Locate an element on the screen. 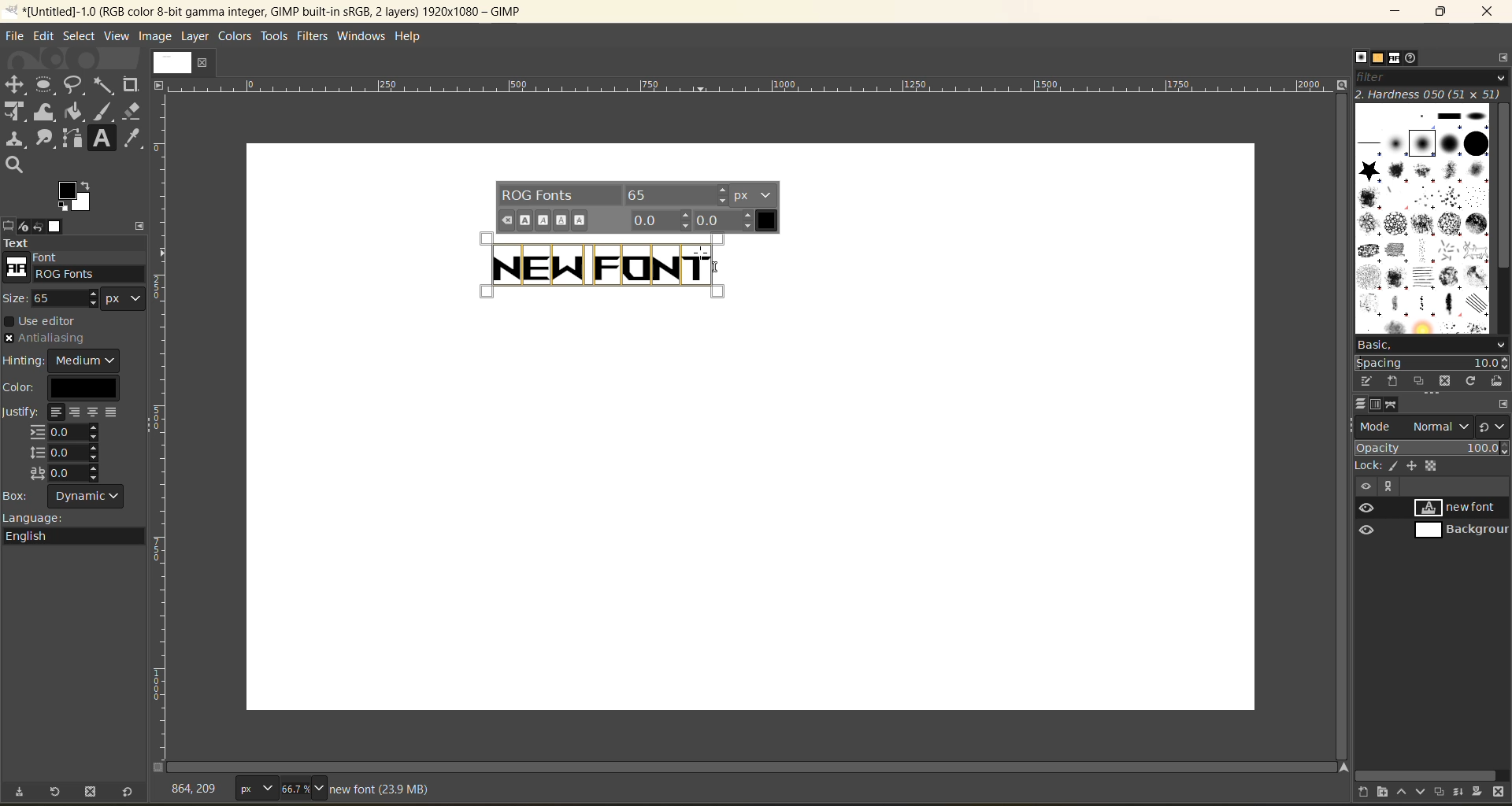 The width and height of the screenshot is (1512, 806). font settings is located at coordinates (636, 207).